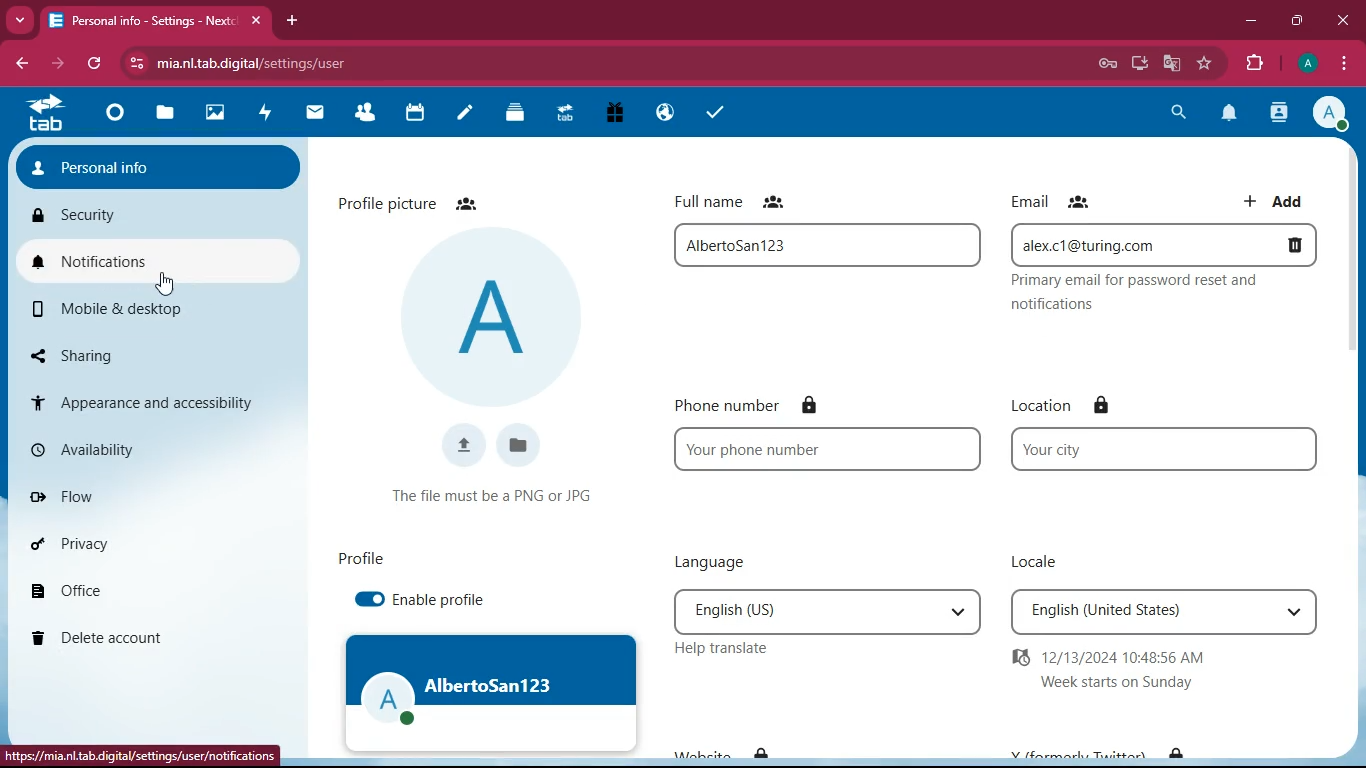  I want to click on forward, so click(58, 62).